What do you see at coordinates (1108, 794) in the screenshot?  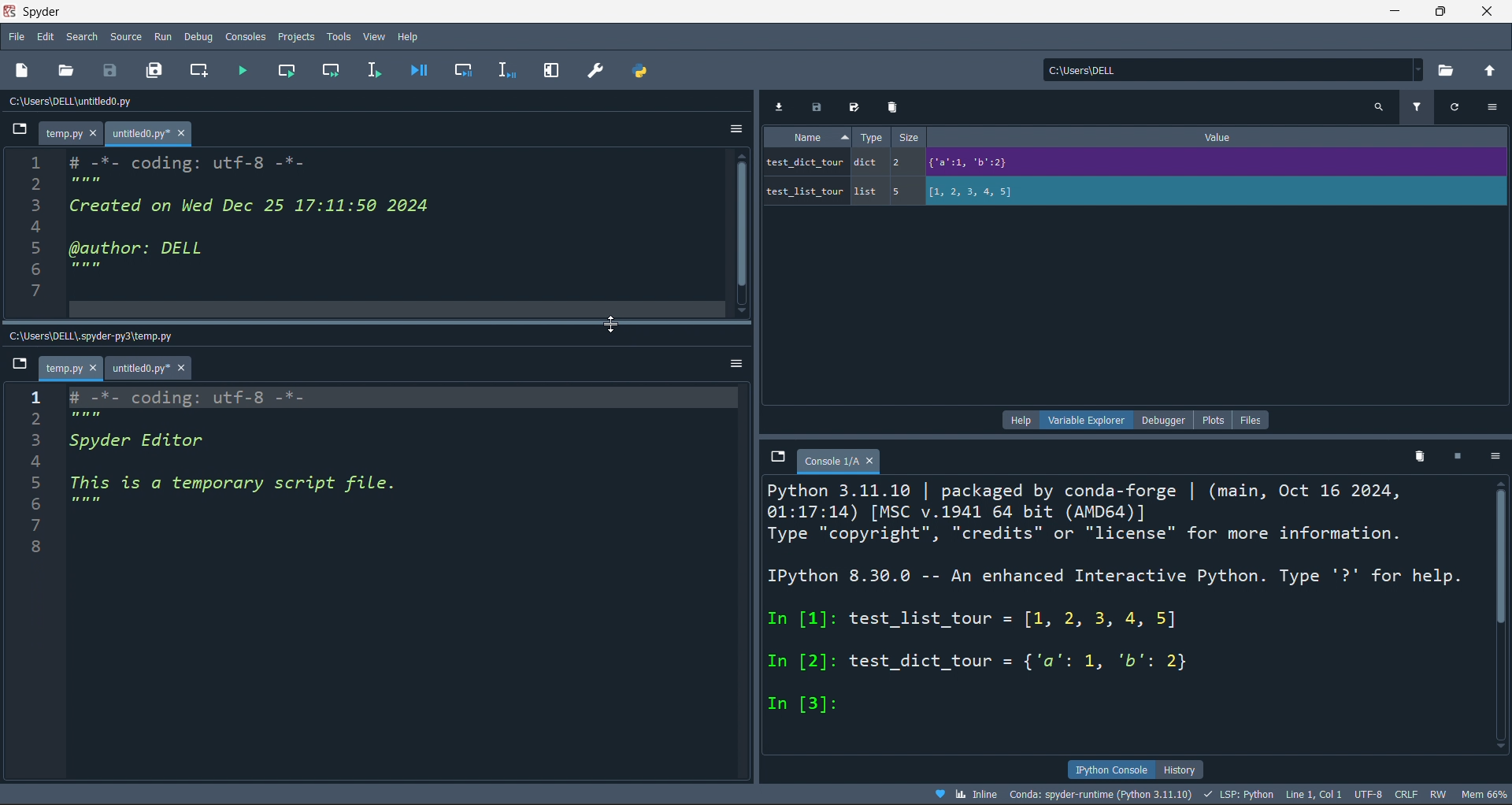 I see `Conda: spyder runtime (Python 3.11.10)` at bounding box center [1108, 794].